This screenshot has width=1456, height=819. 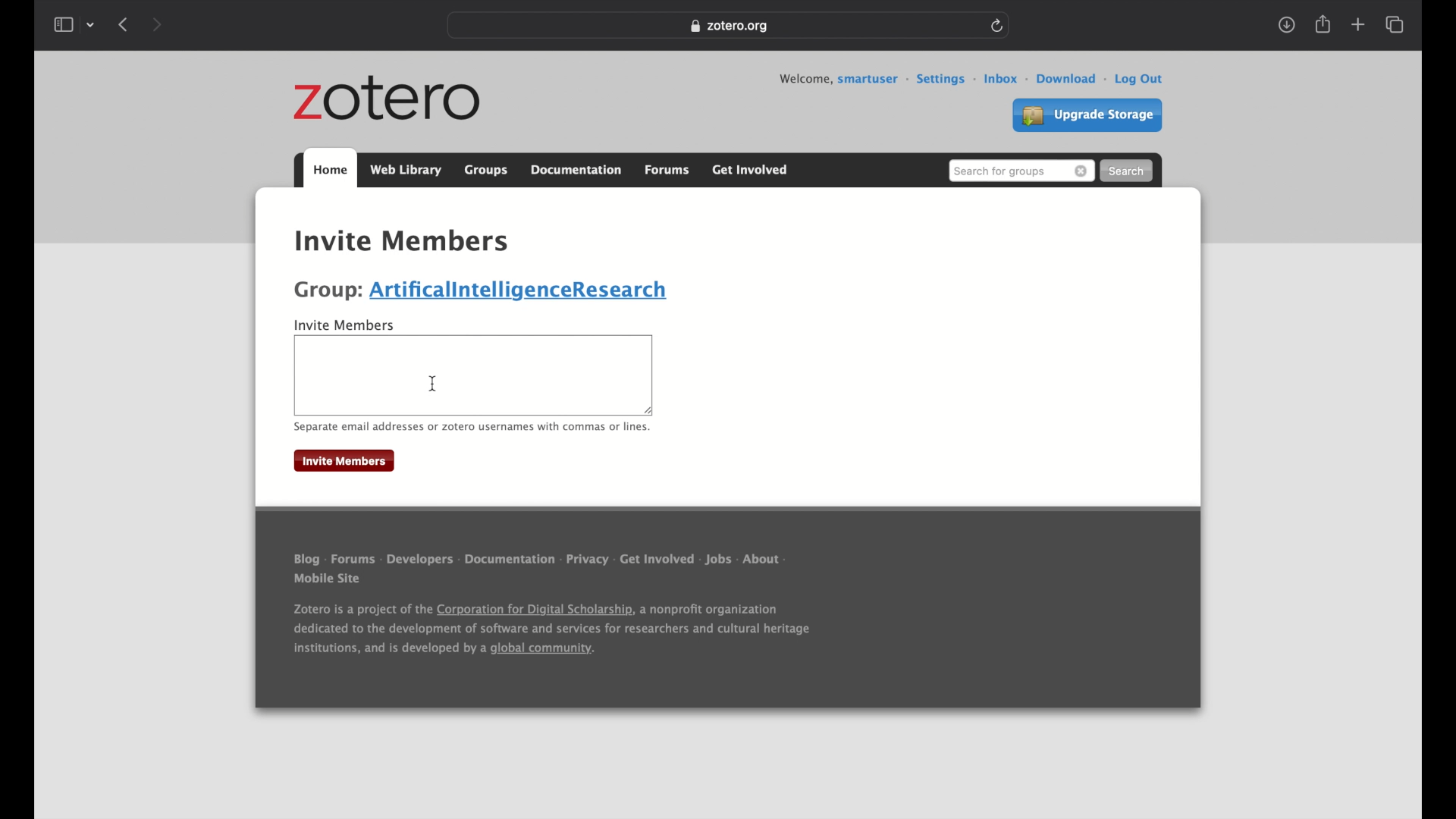 What do you see at coordinates (1324, 25) in the screenshot?
I see `share tab` at bounding box center [1324, 25].